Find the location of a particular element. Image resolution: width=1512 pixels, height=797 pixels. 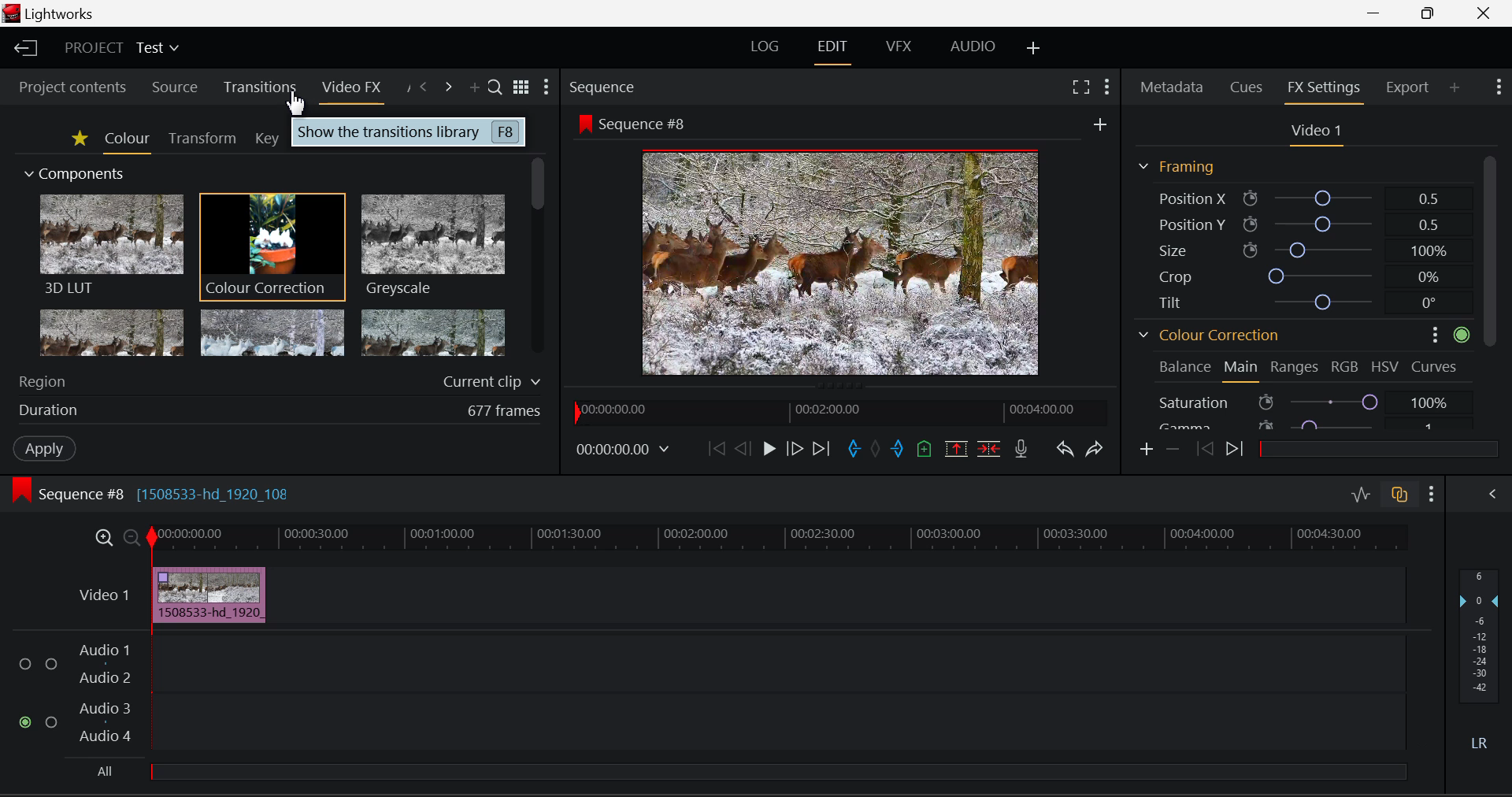

Duration is located at coordinates (279, 409).